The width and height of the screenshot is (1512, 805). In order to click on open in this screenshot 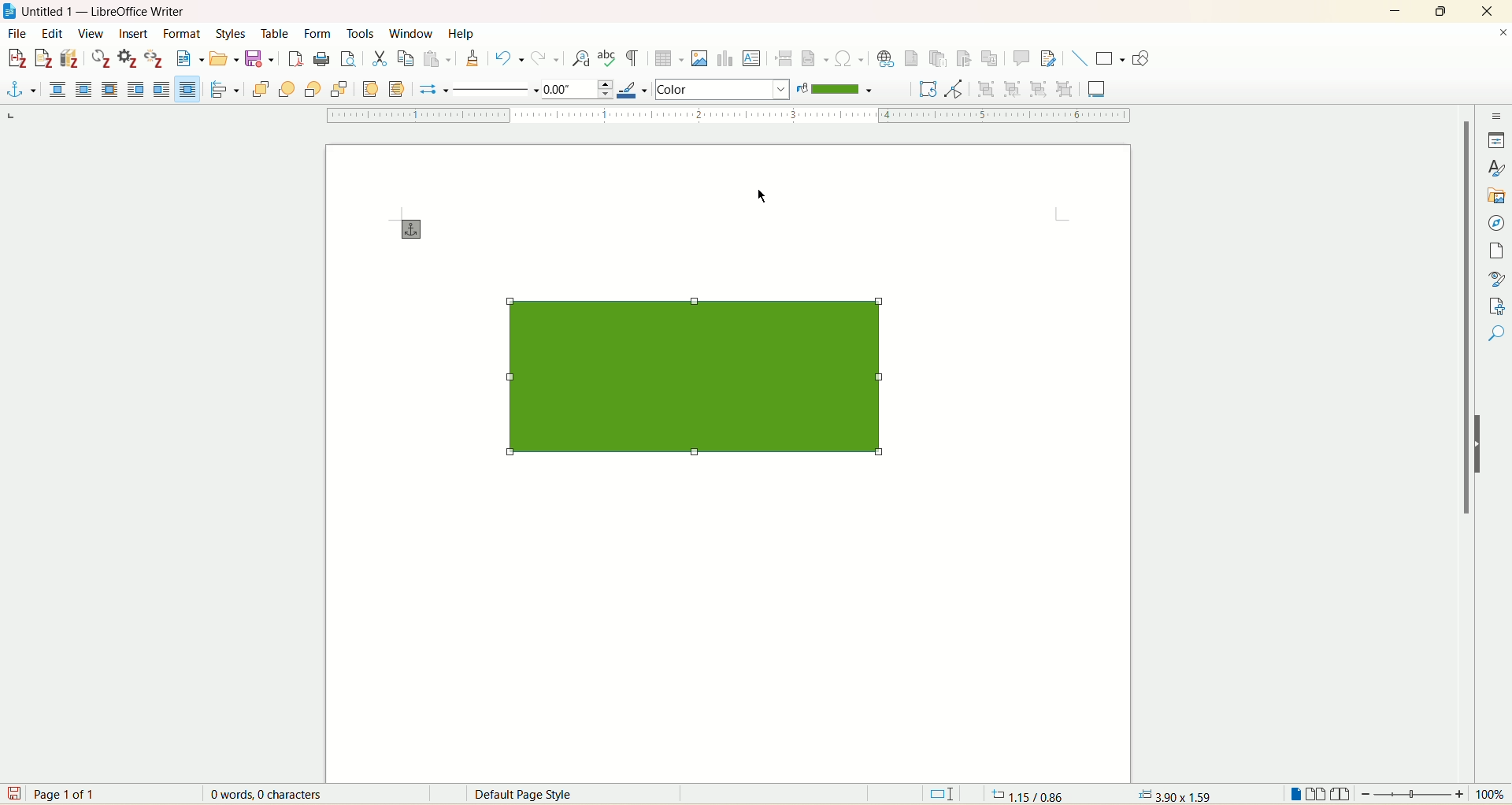, I will do `click(223, 59)`.